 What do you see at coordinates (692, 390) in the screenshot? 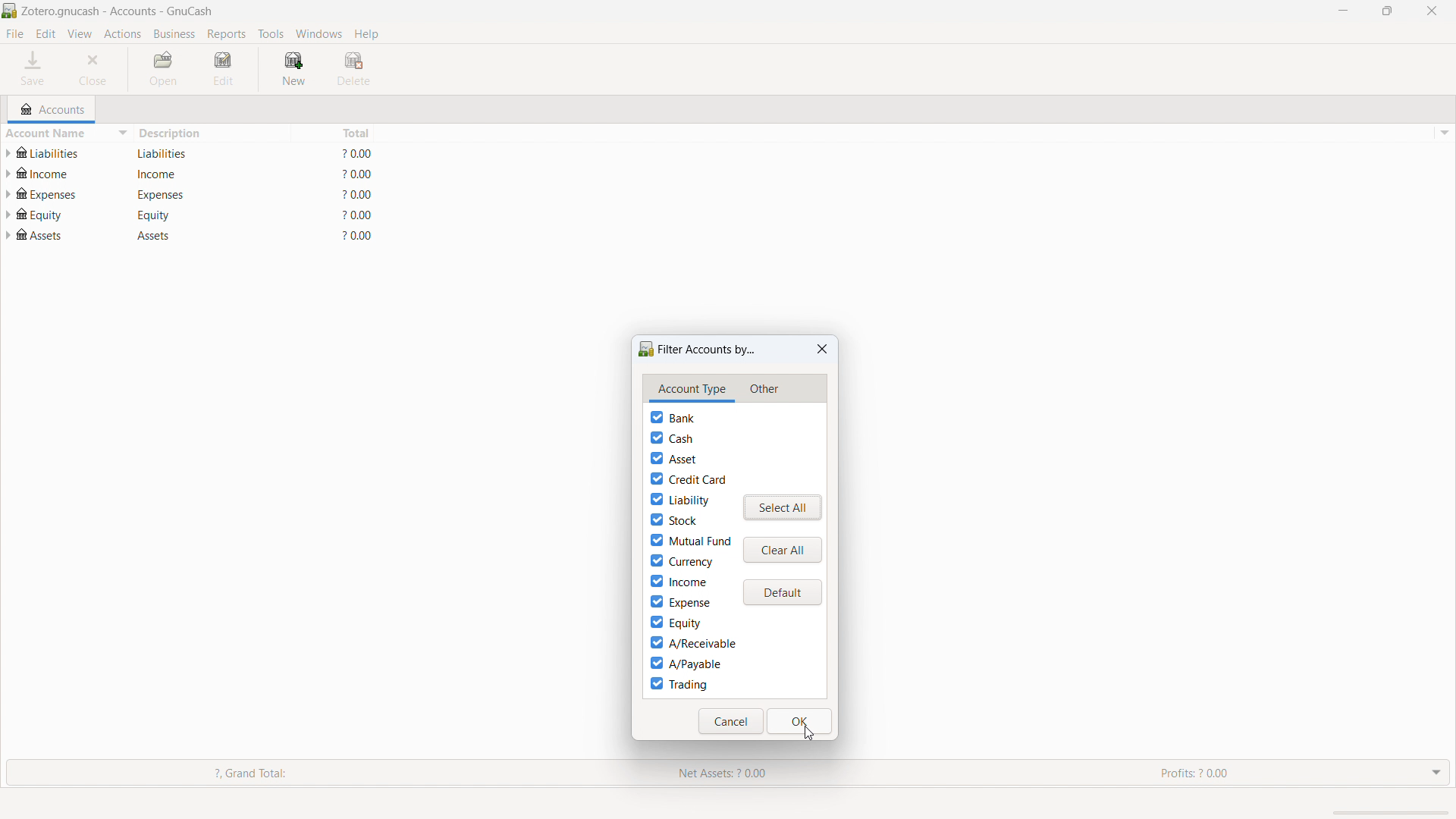
I see `account type` at bounding box center [692, 390].